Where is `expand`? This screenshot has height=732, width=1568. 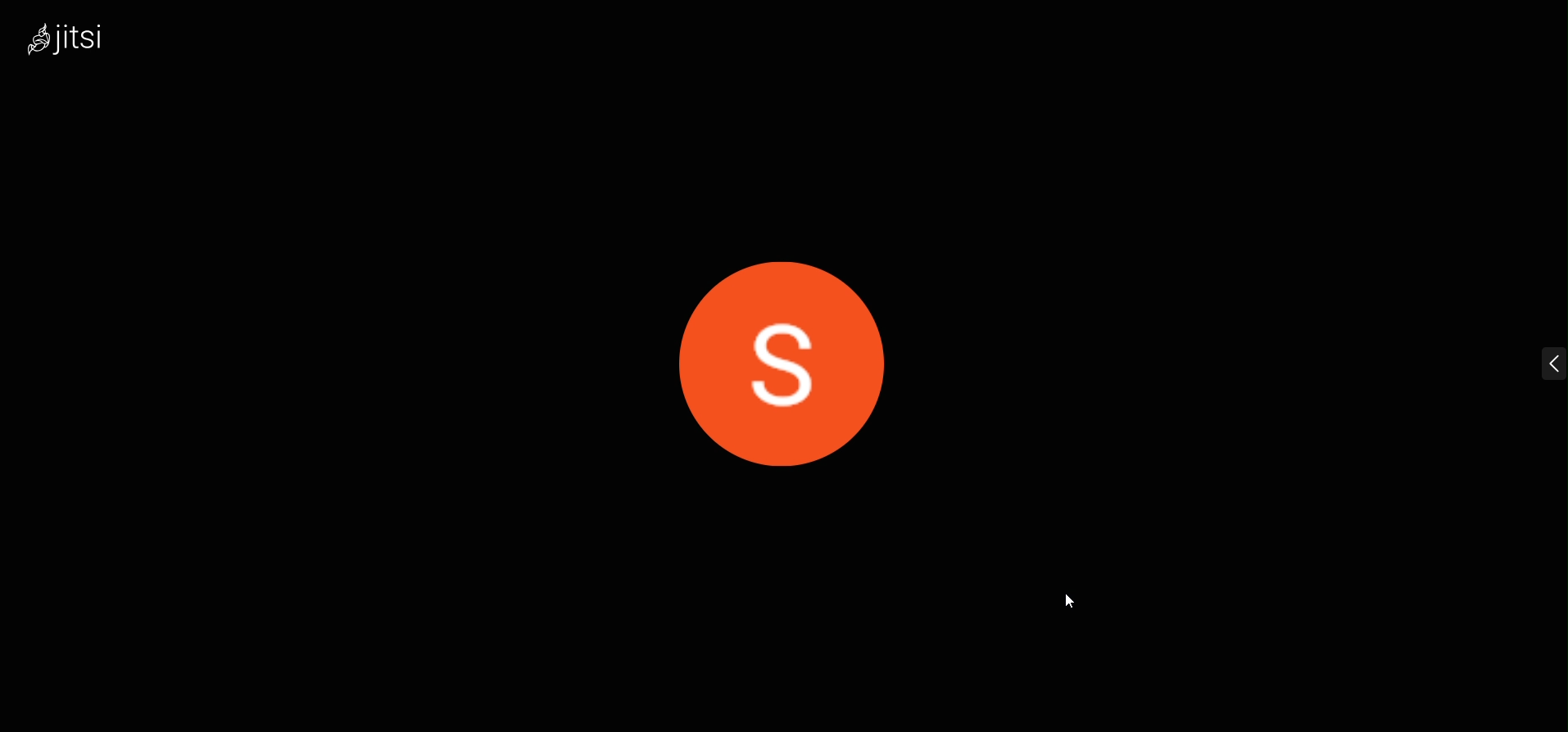
expand is located at coordinates (1529, 374).